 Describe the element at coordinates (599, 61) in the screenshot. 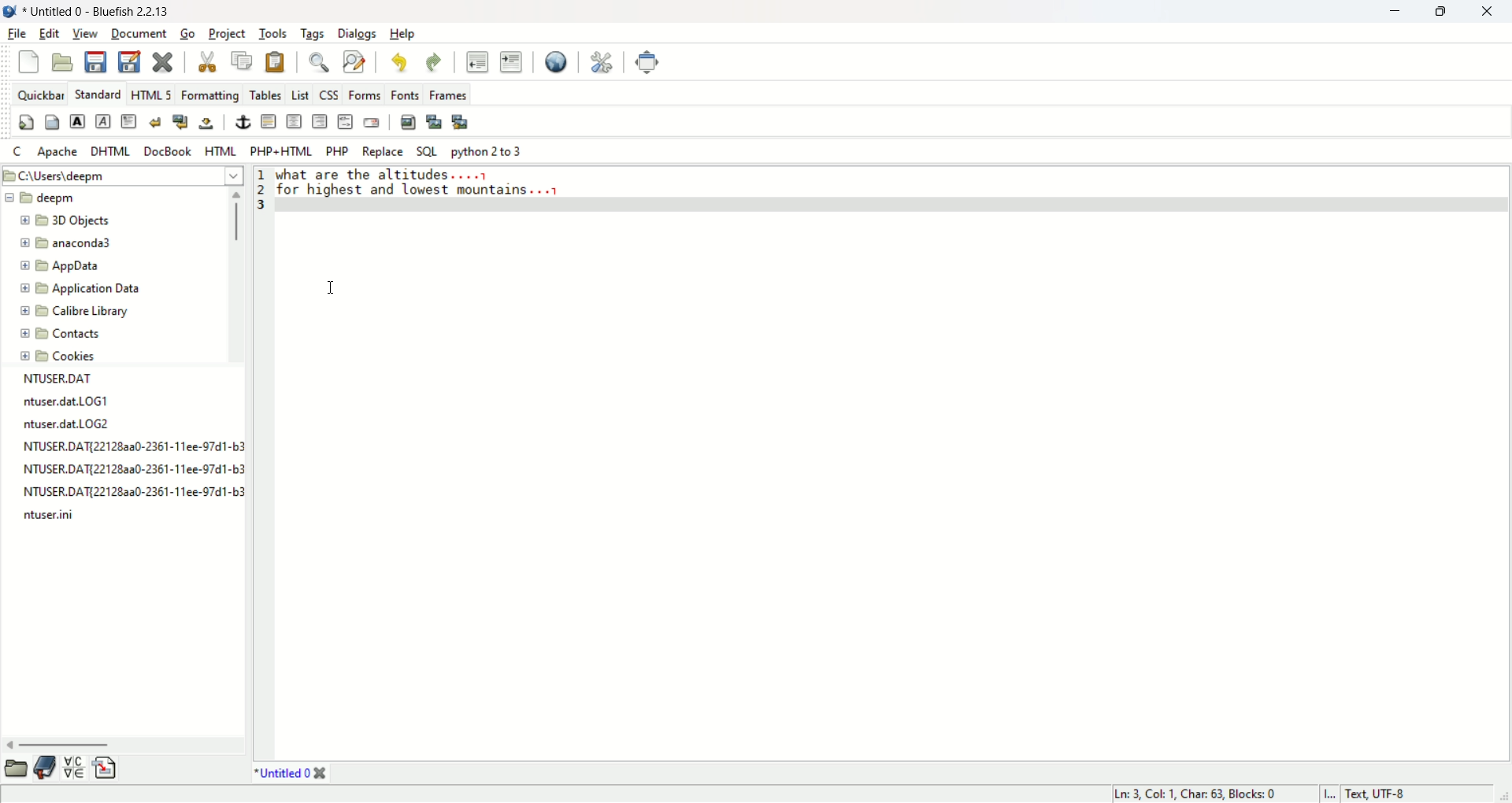

I see `edit preferences` at that location.